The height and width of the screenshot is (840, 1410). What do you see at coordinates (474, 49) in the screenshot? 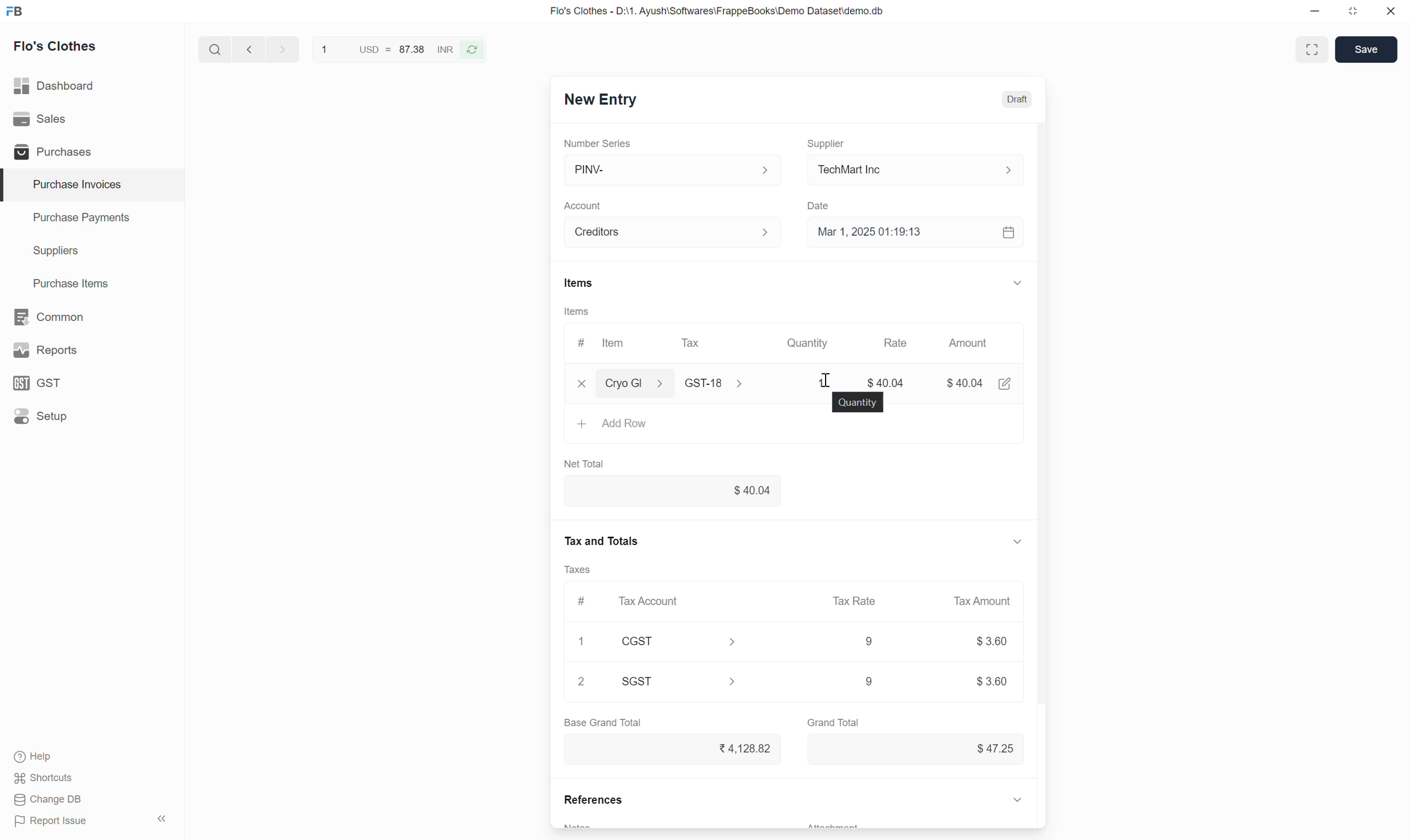
I see `refresh ` at bounding box center [474, 49].